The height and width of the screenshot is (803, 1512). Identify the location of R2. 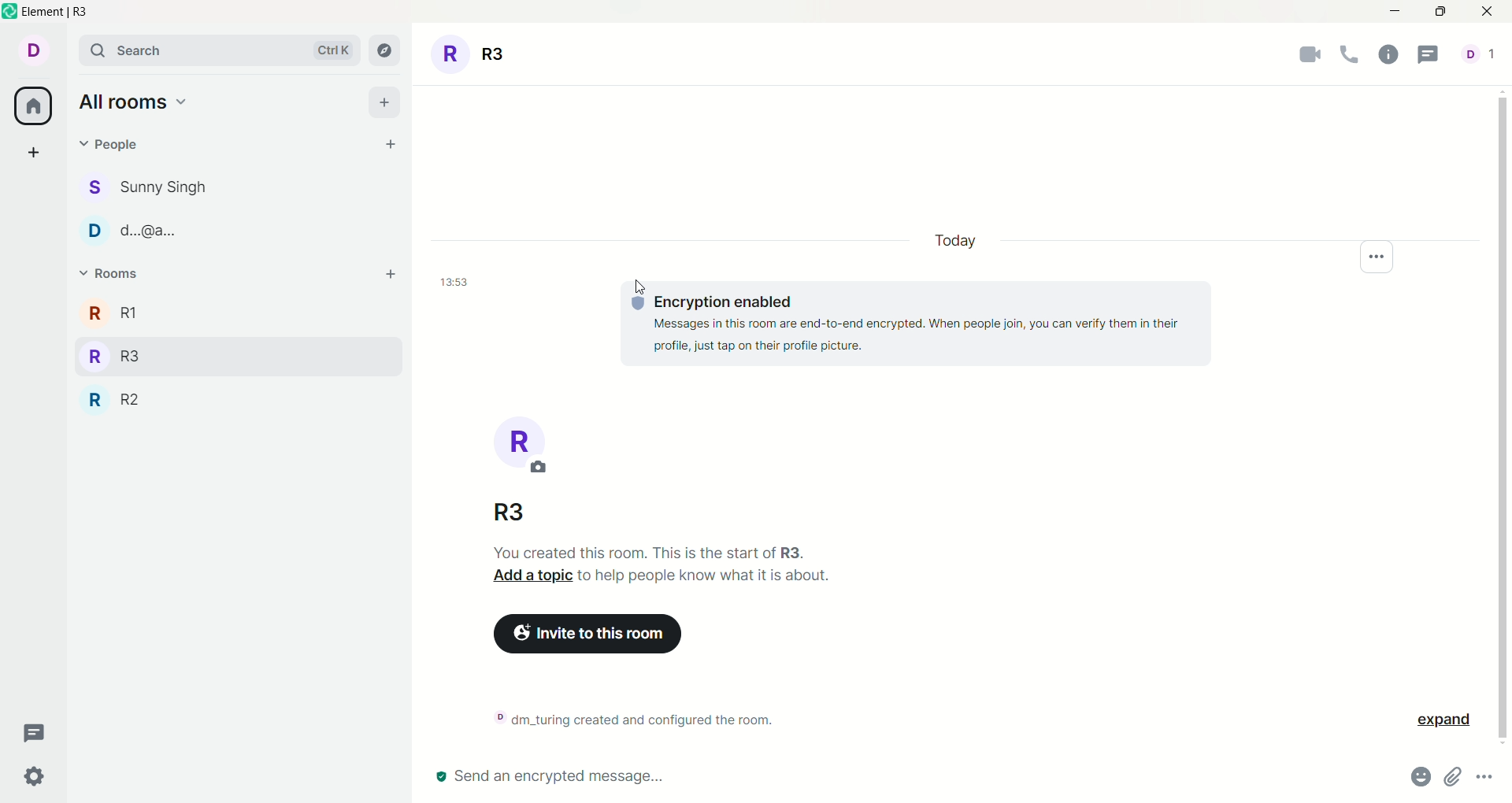
(117, 399).